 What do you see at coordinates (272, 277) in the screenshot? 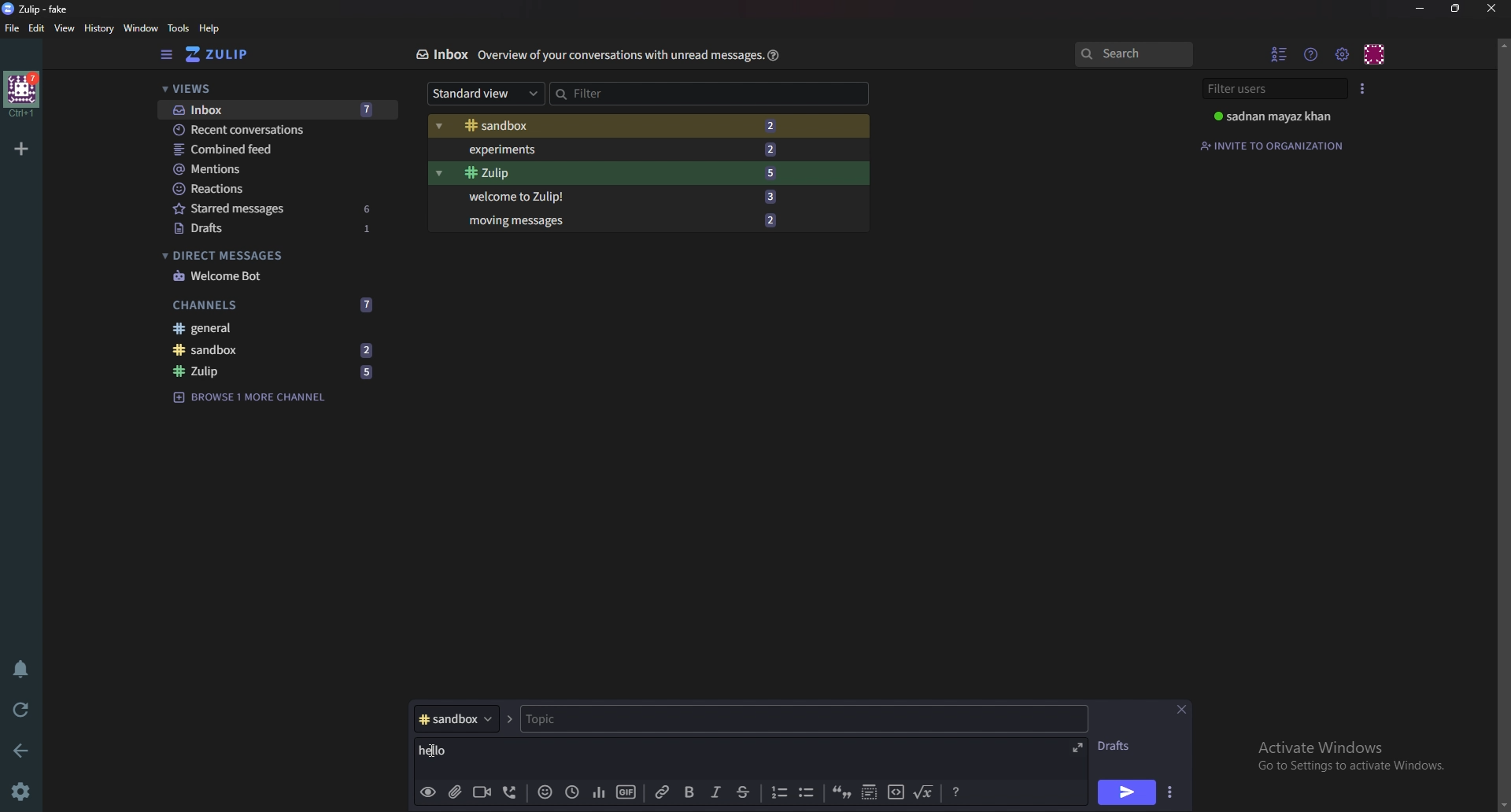
I see `Welcome bot` at bounding box center [272, 277].